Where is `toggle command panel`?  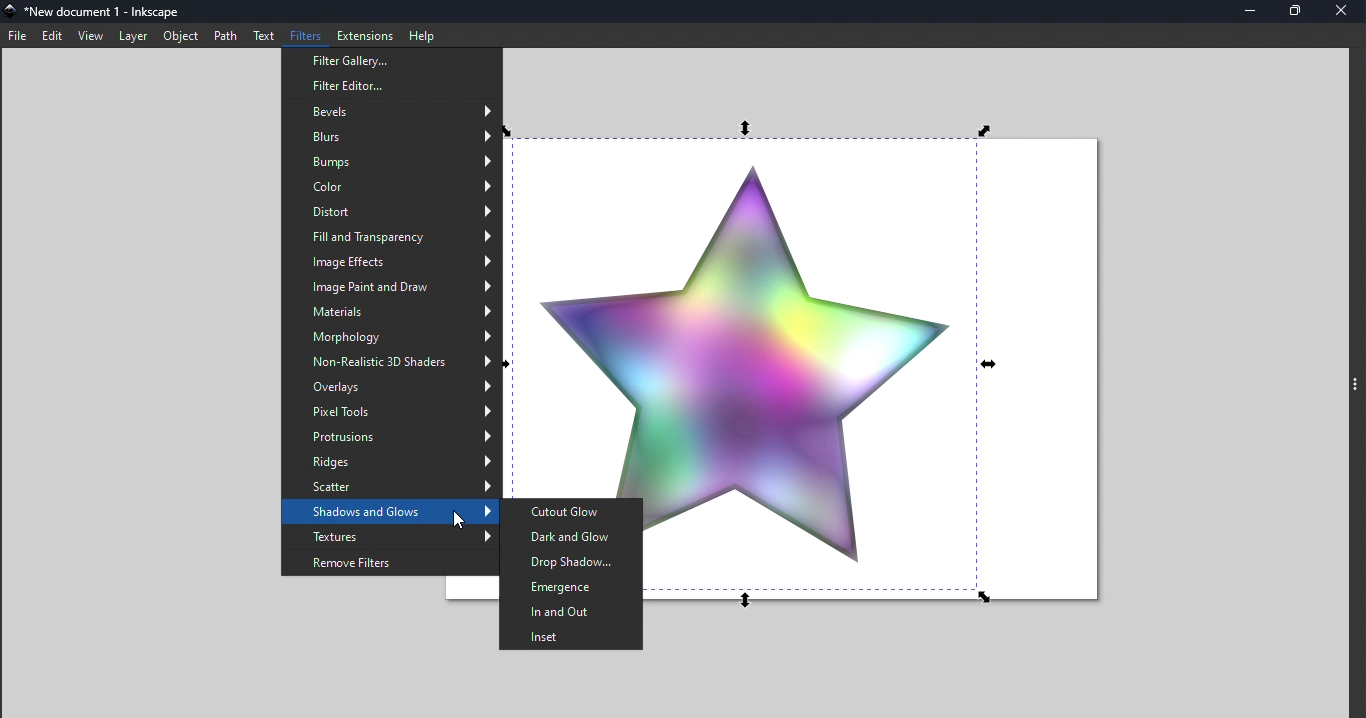
toggle command panel is located at coordinates (1354, 393).